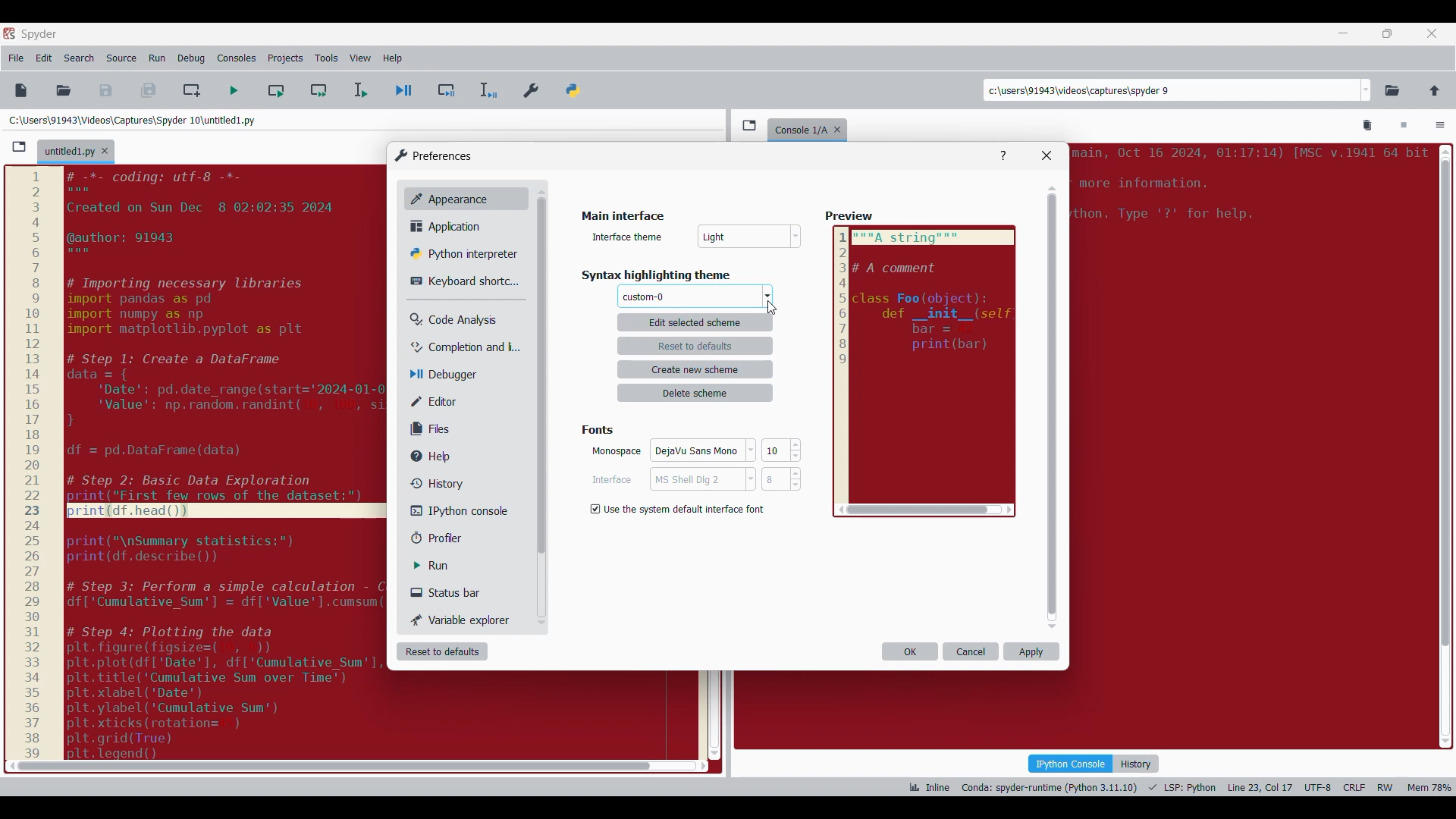 The height and width of the screenshot is (819, 1456). Describe the element at coordinates (1053, 407) in the screenshot. I see `Vertical slide bar` at that location.